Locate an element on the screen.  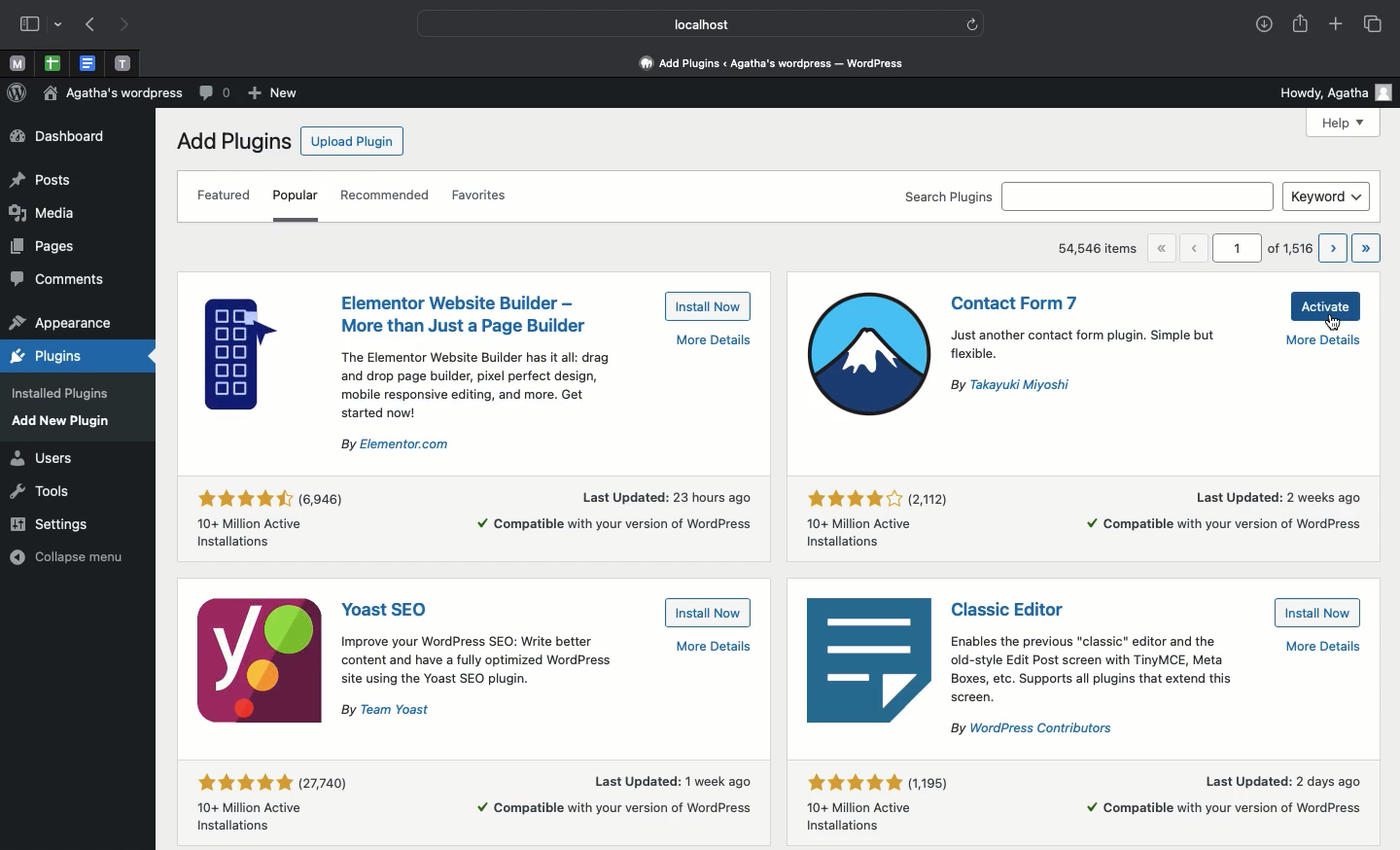
More details is located at coordinates (1324, 646).